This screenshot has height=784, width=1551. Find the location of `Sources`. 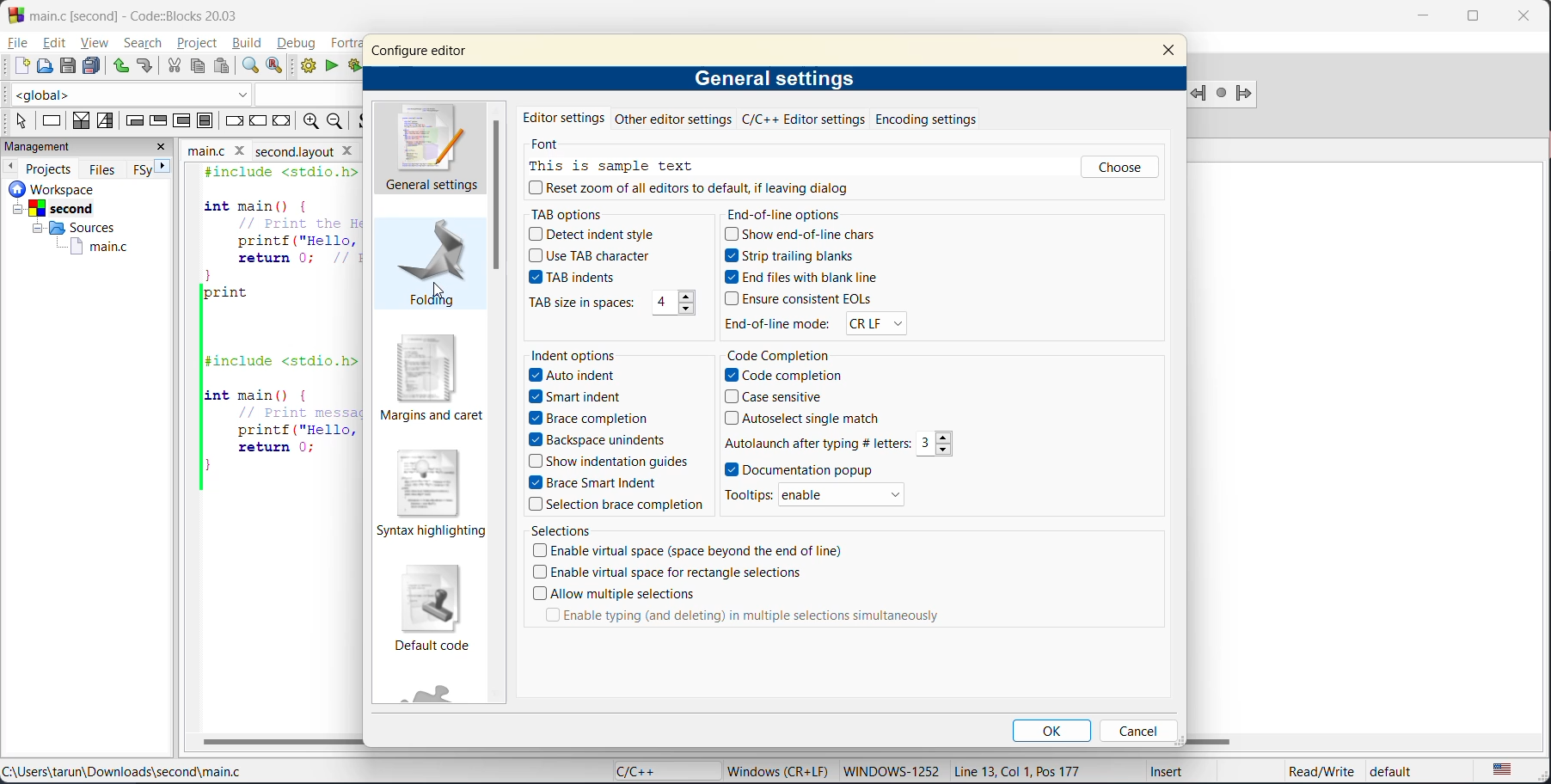

Sources is located at coordinates (70, 228).